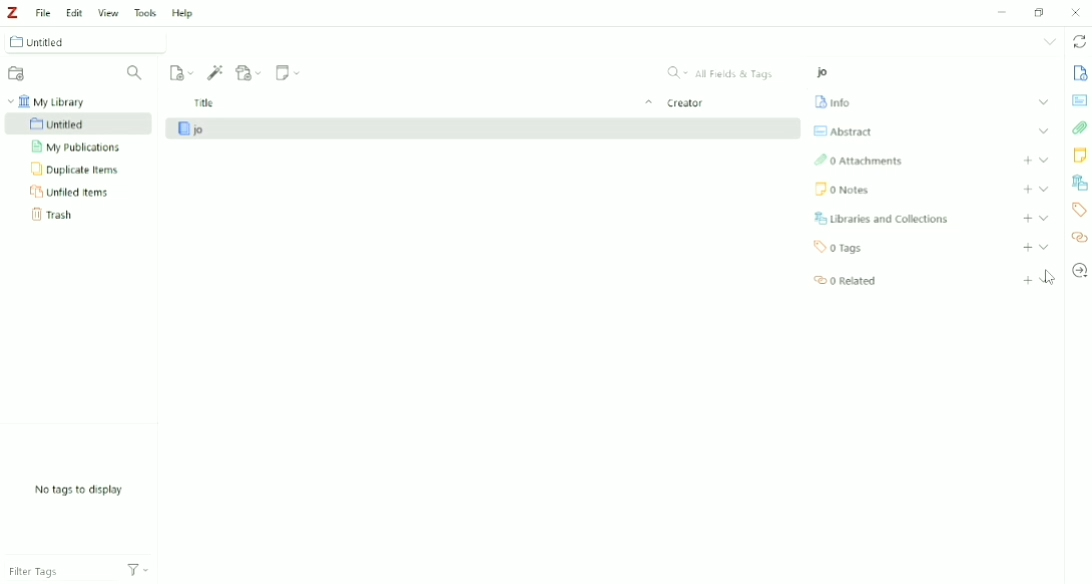  Describe the element at coordinates (1044, 131) in the screenshot. I see `Expand section` at that location.